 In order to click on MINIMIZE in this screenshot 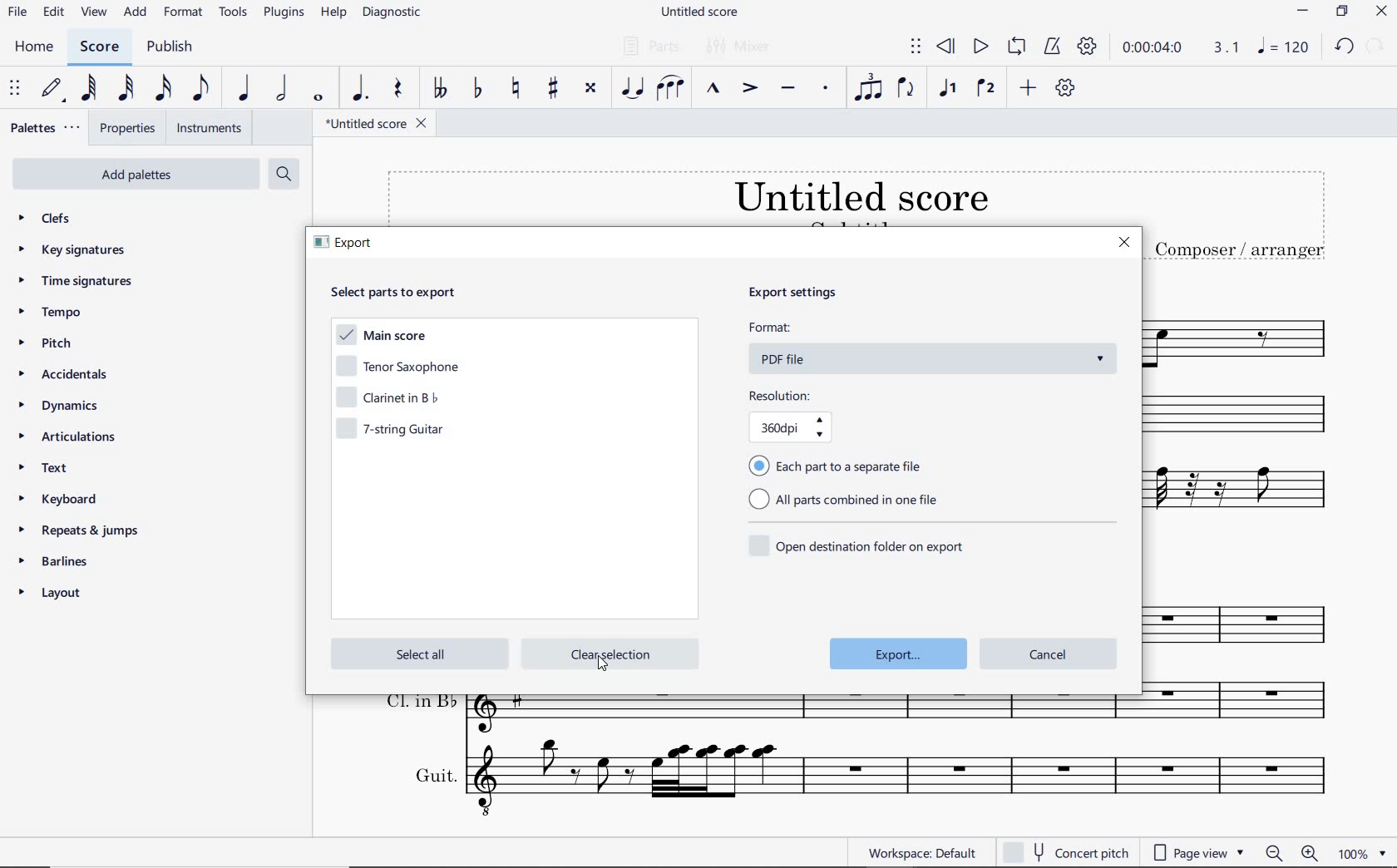, I will do `click(1302, 12)`.